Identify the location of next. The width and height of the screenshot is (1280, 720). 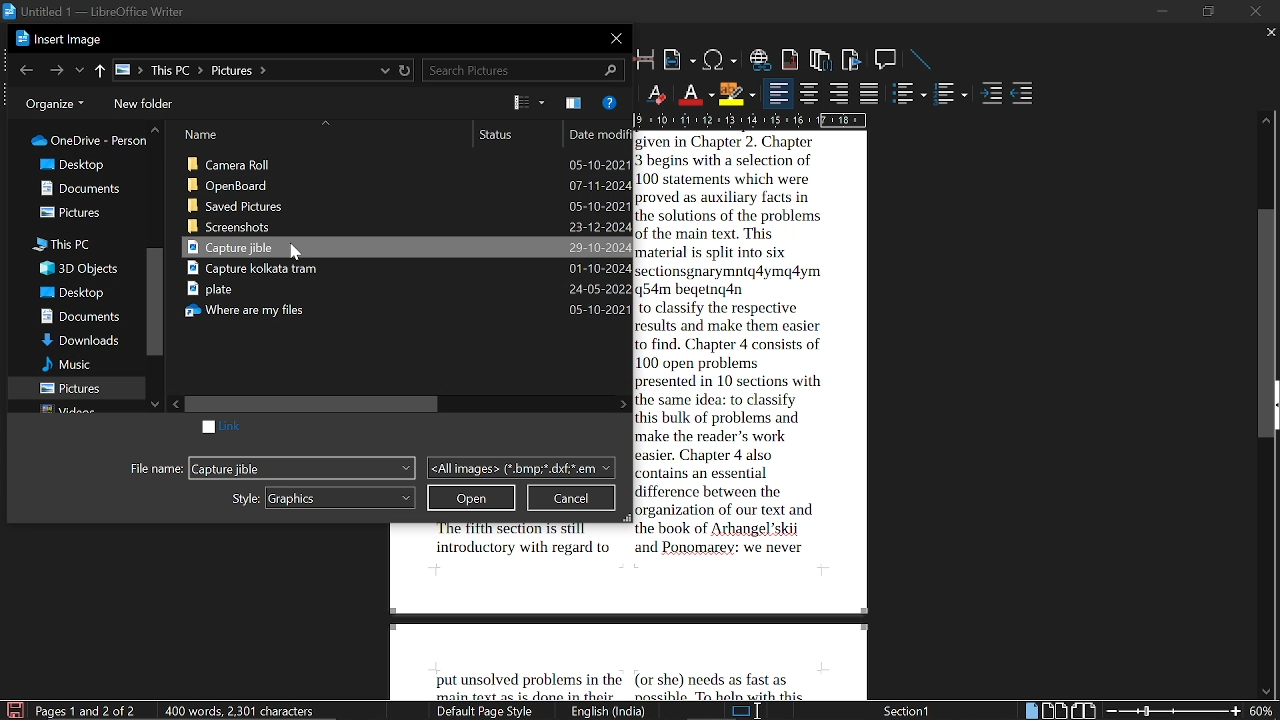
(54, 70).